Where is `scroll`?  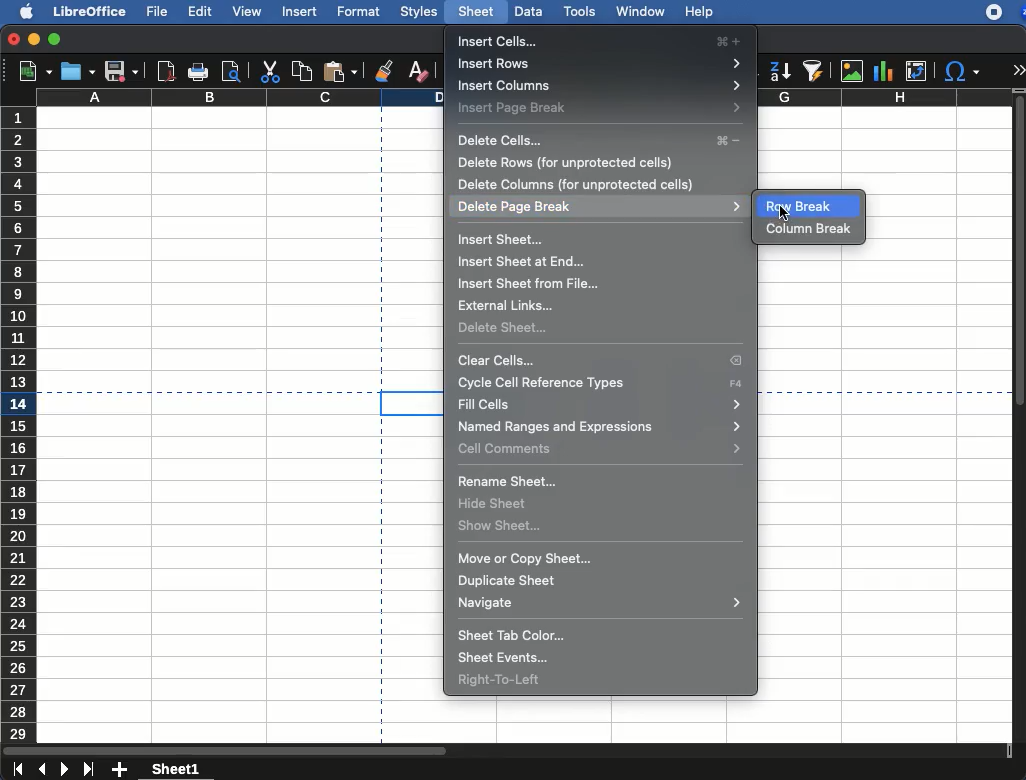 scroll is located at coordinates (507, 750).